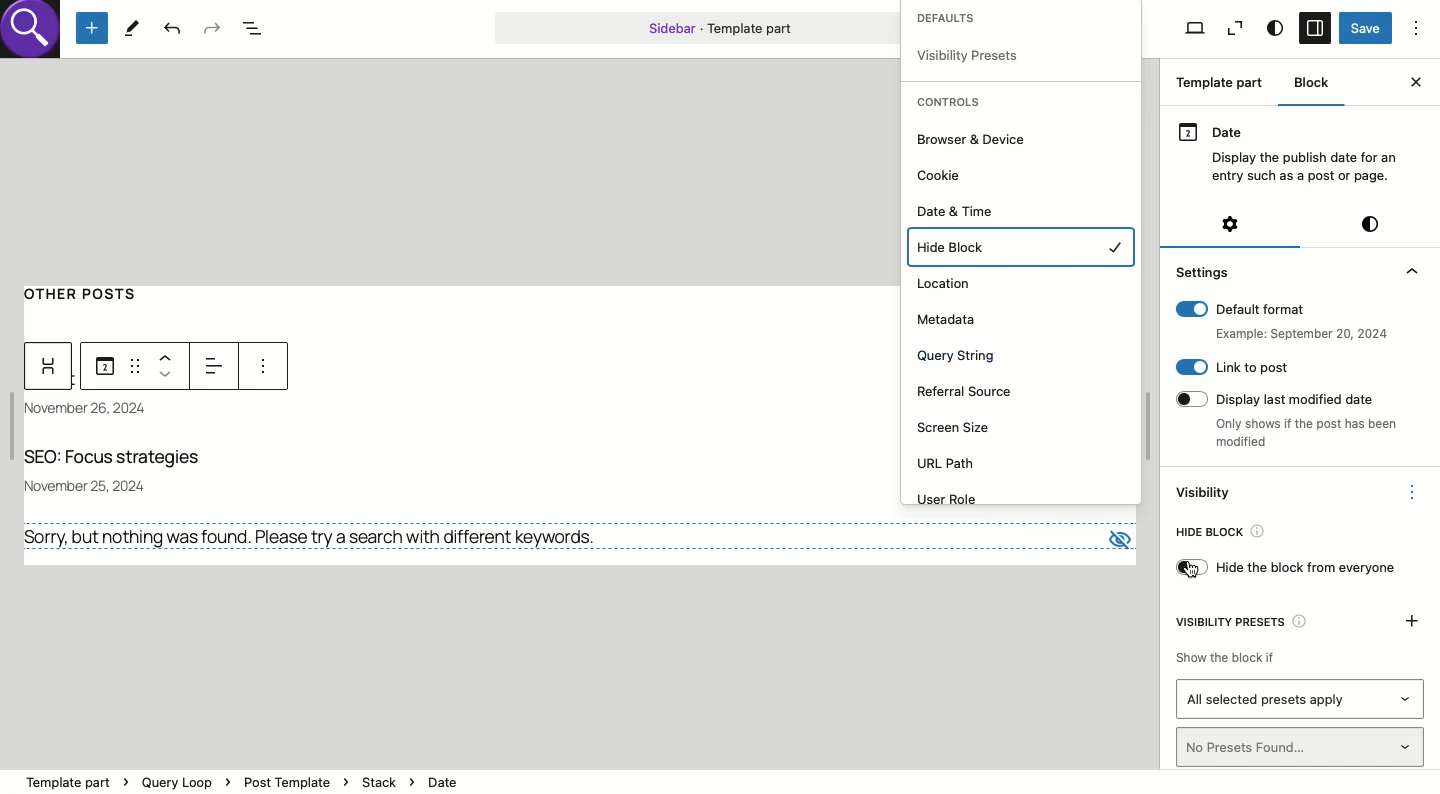  I want to click on Add new block, so click(92, 29).